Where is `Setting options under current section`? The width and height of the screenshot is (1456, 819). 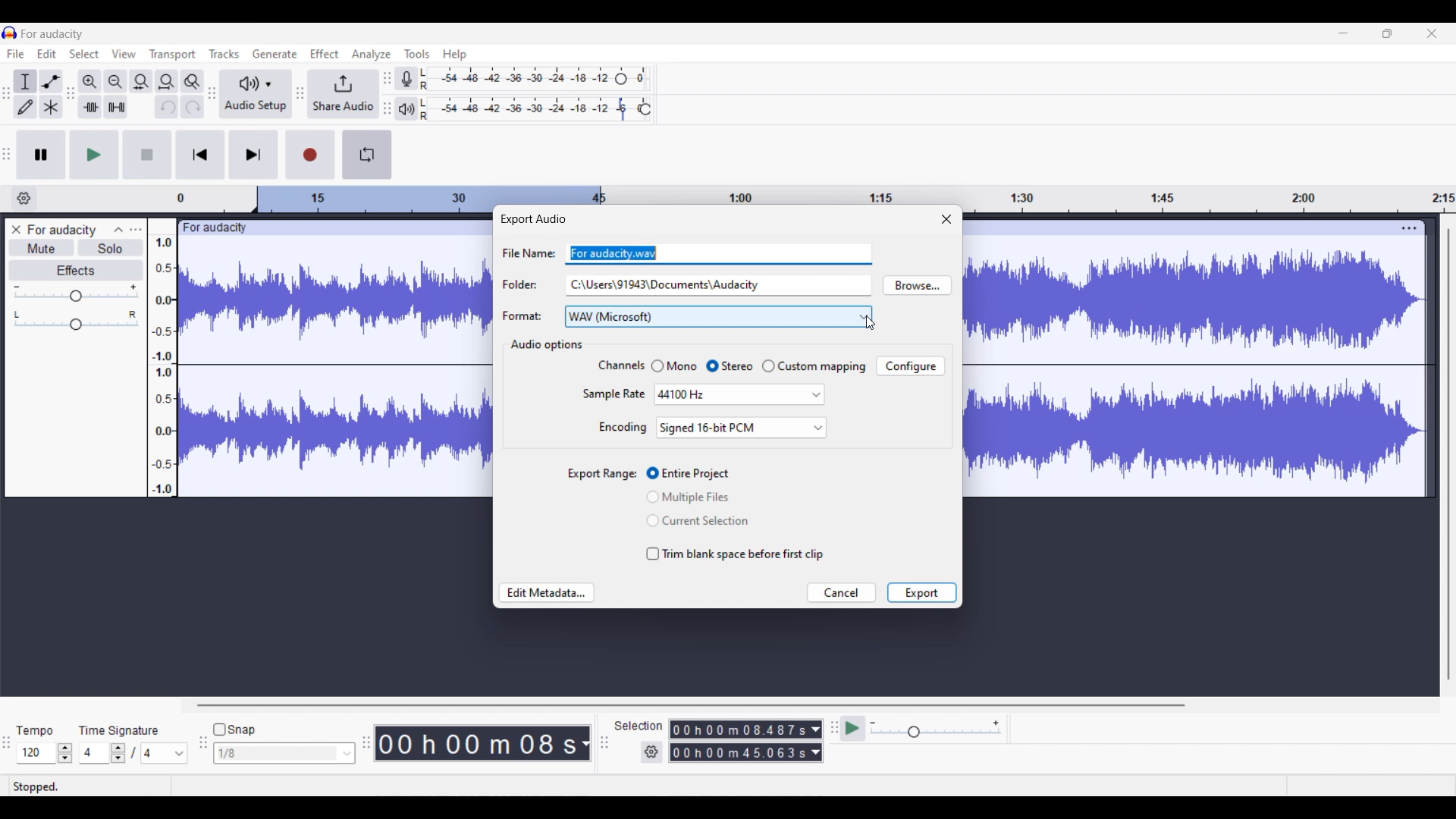
Setting options under current section is located at coordinates (613, 397).